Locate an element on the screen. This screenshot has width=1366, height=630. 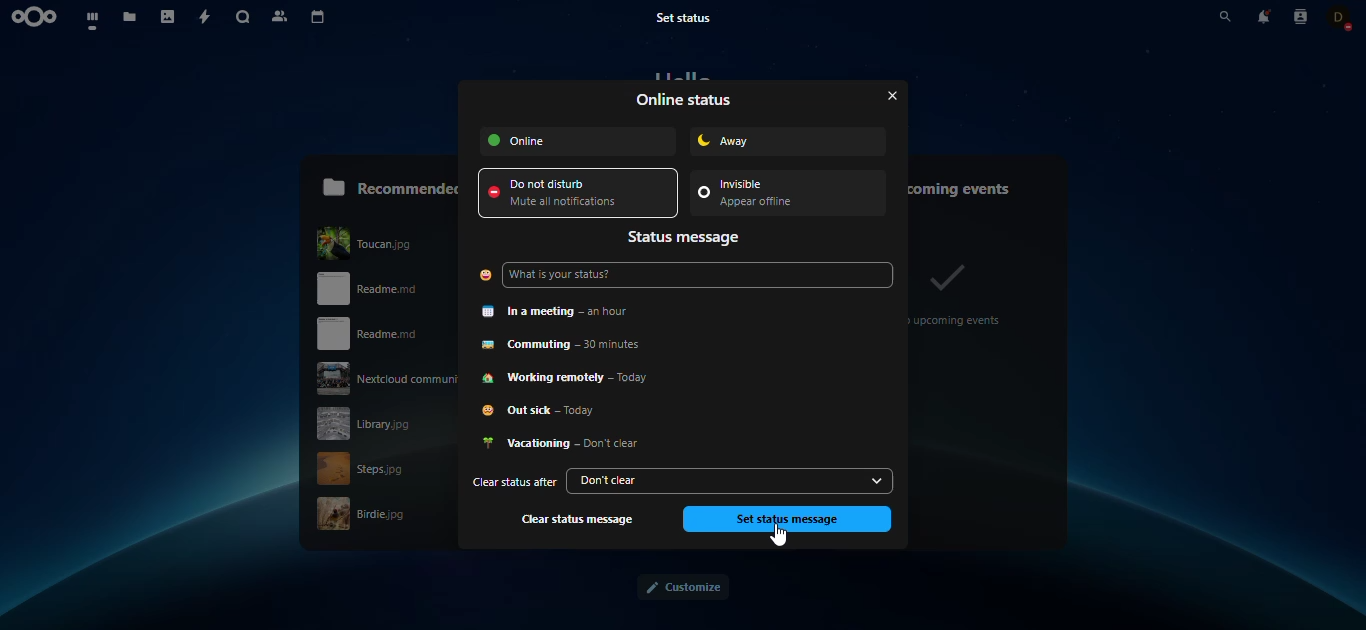
online status is located at coordinates (686, 100).